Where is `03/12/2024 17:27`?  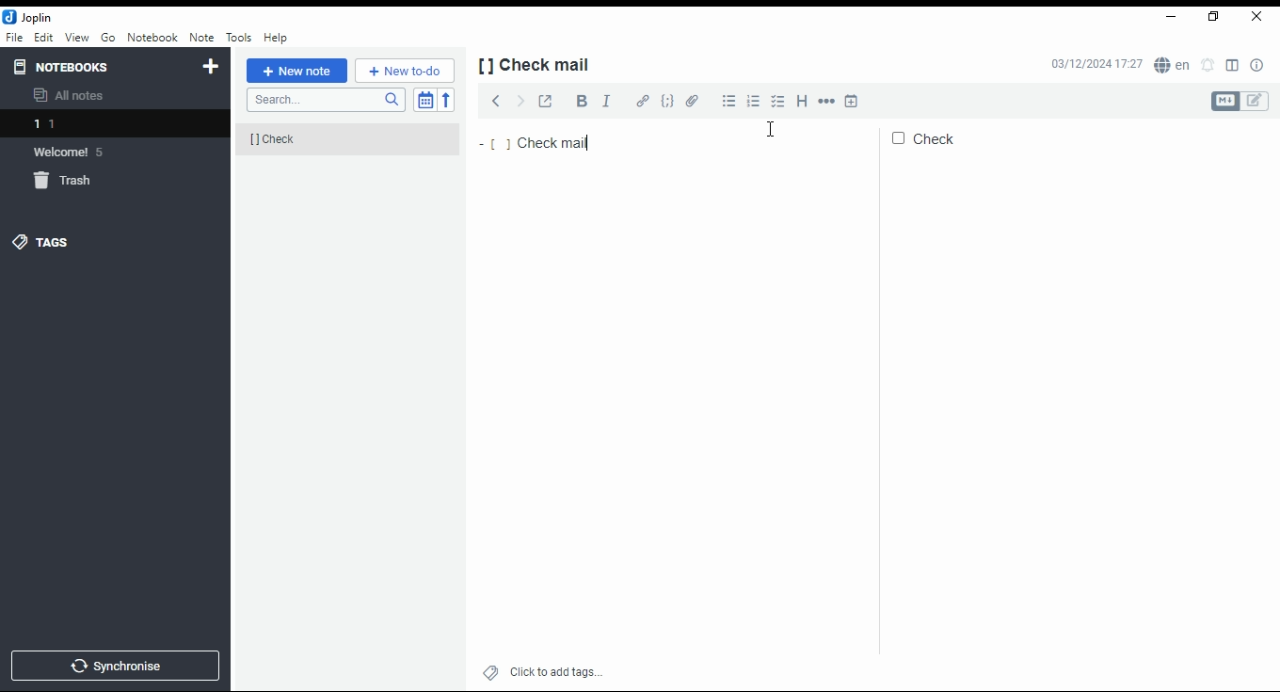 03/12/2024 17:27 is located at coordinates (1096, 64).